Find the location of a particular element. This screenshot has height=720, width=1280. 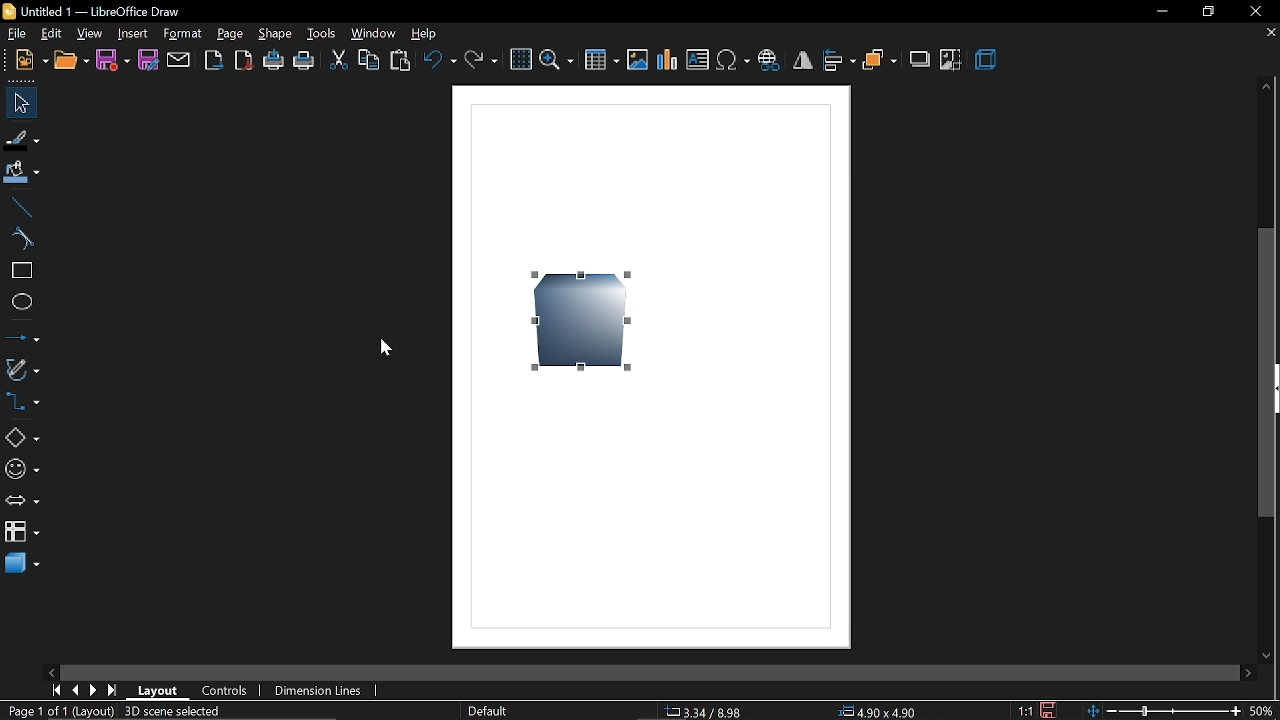

insert text is located at coordinates (698, 60).